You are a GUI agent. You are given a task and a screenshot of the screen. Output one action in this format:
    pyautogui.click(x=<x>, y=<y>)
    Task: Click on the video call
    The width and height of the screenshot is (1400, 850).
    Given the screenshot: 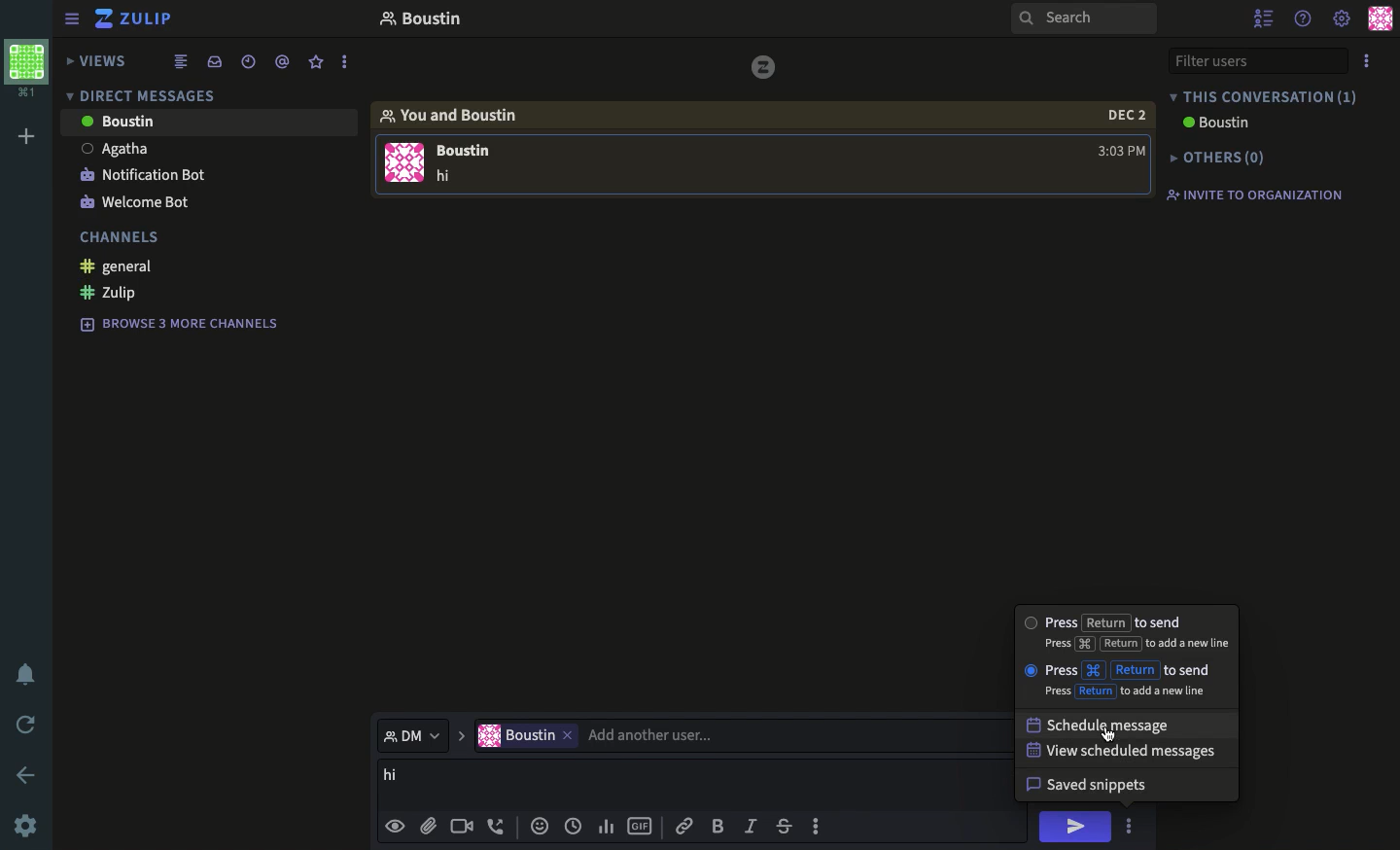 What is the action you would take?
    pyautogui.click(x=460, y=826)
    